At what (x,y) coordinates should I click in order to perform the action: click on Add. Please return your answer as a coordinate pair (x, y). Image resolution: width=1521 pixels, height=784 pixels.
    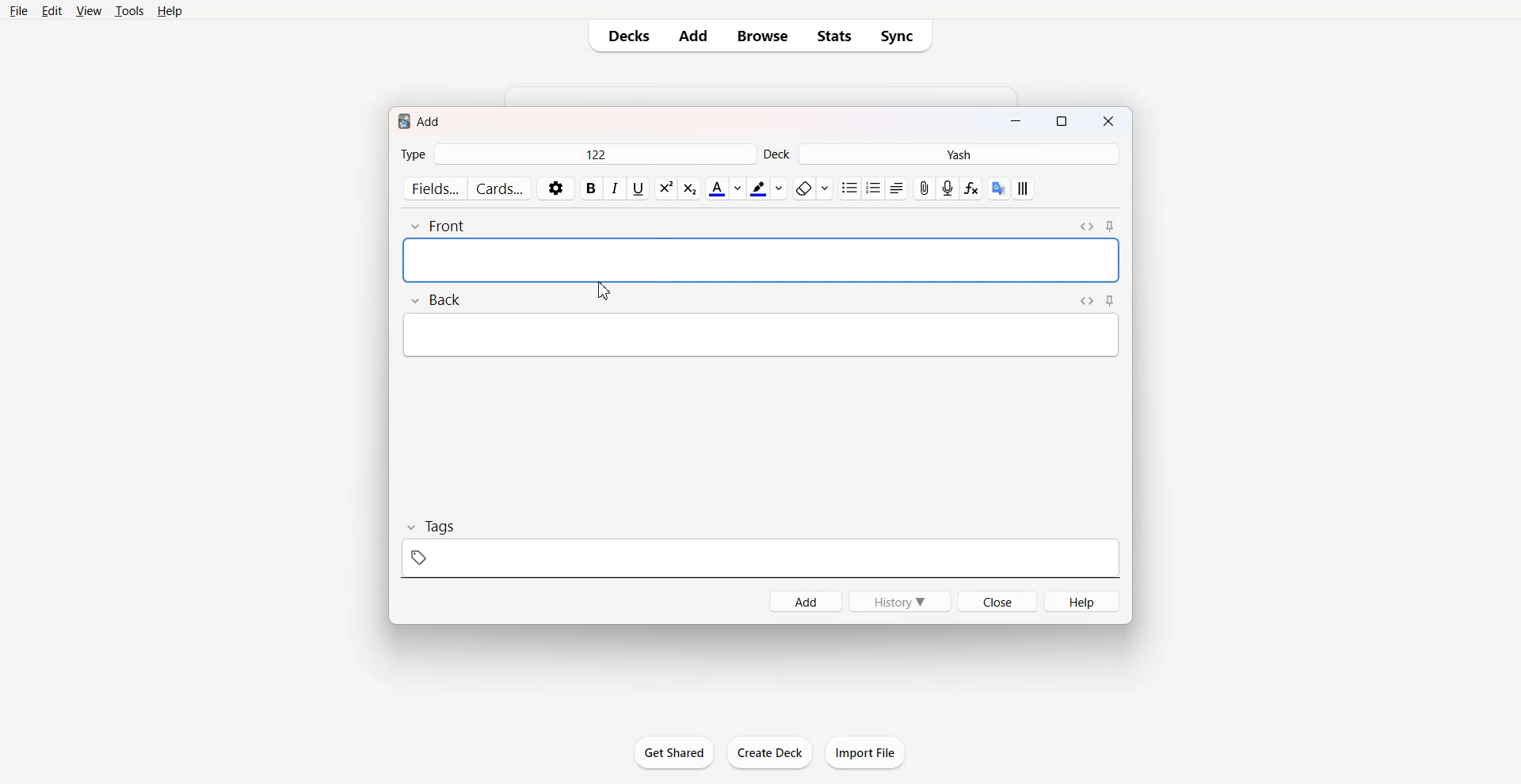
    Looking at the image, I should click on (693, 36).